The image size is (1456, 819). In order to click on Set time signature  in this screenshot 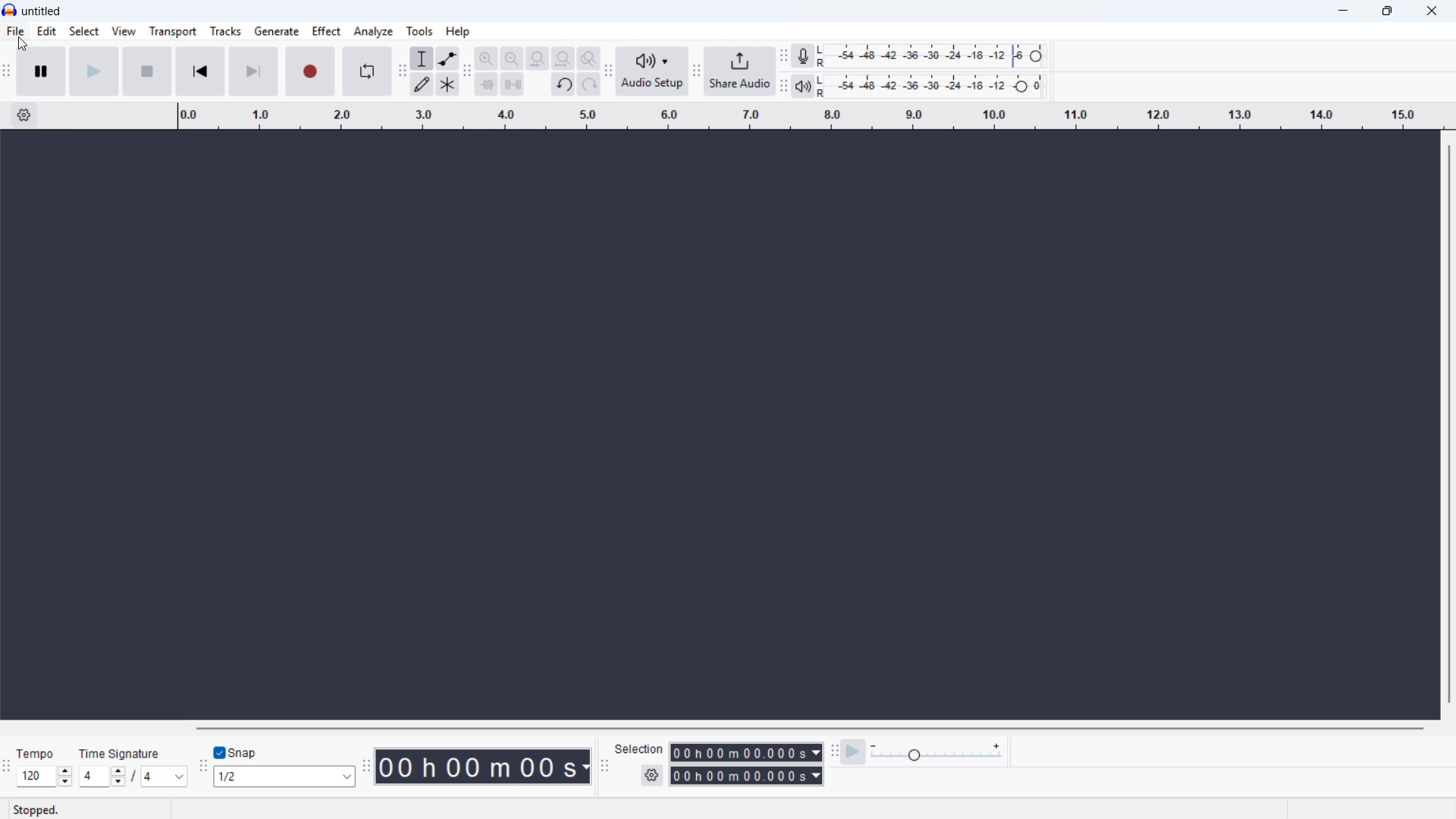, I will do `click(134, 777)`.